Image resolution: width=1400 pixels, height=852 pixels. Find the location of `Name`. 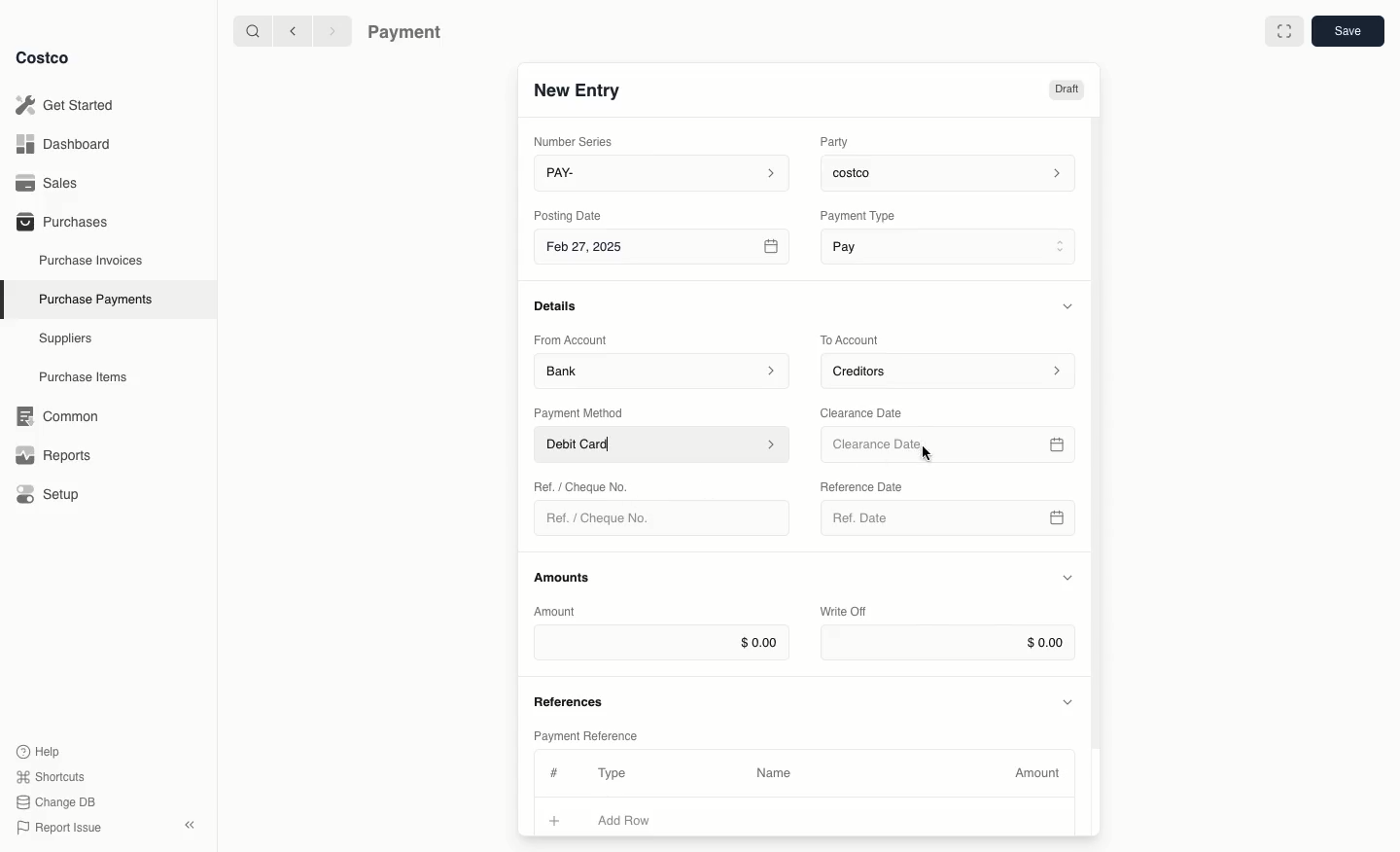

Name is located at coordinates (774, 773).